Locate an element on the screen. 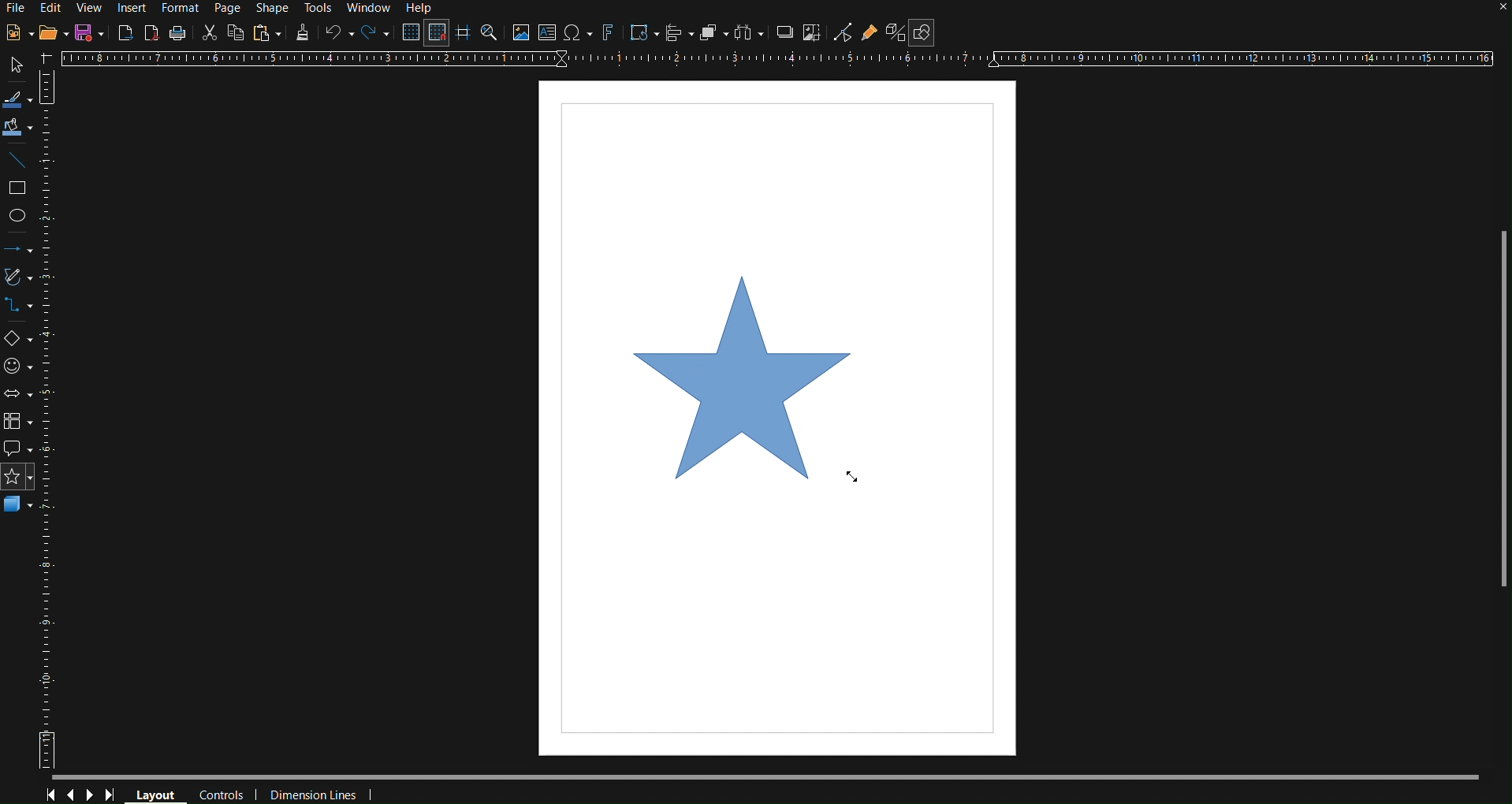 Image resolution: width=1512 pixels, height=804 pixels. Help is located at coordinates (422, 9).